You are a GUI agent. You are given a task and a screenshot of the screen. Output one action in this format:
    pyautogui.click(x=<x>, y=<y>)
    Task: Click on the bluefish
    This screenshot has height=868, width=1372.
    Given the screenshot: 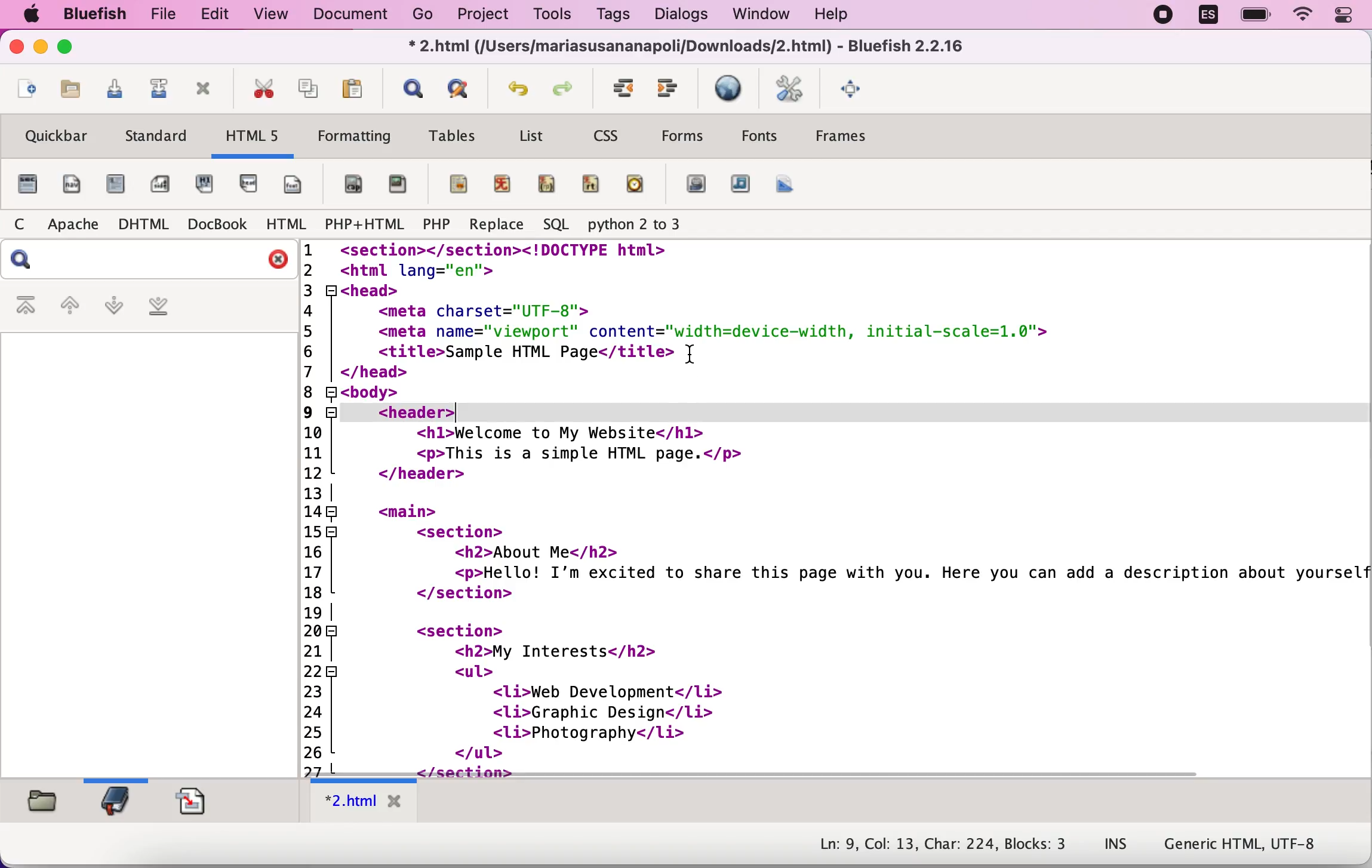 What is the action you would take?
    pyautogui.click(x=96, y=15)
    